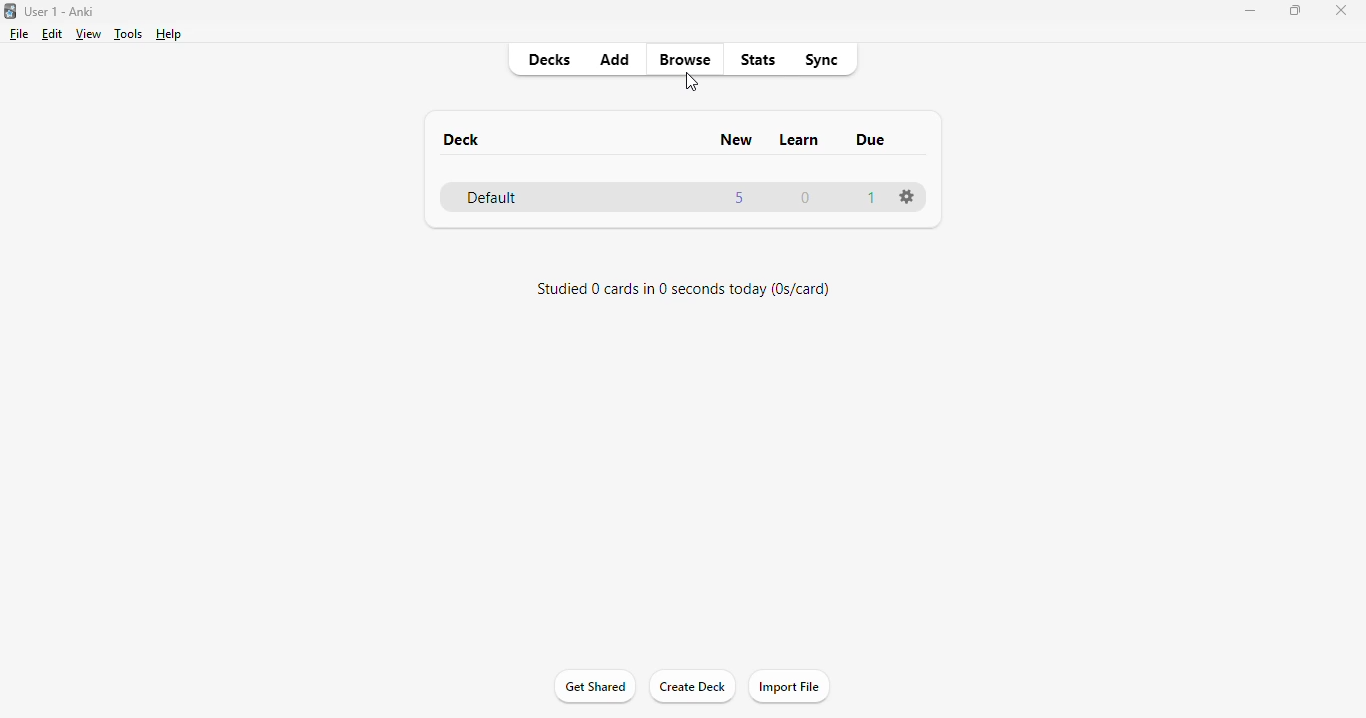  What do you see at coordinates (168, 34) in the screenshot?
I see `help` at bounding box center [168, 34].